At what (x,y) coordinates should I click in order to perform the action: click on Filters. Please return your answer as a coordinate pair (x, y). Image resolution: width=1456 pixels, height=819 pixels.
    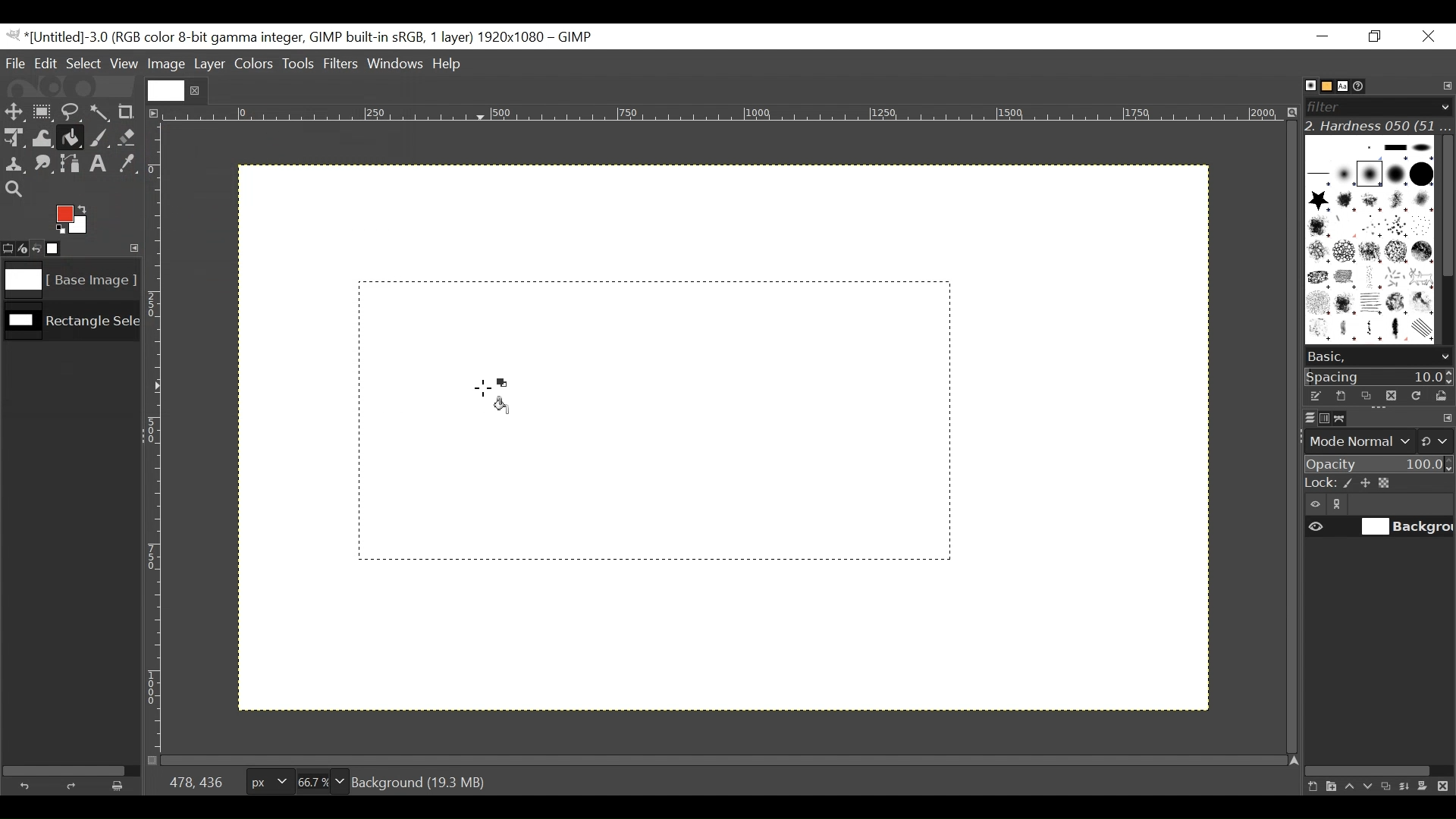
    Looking at the image, I should click on (342, 65).